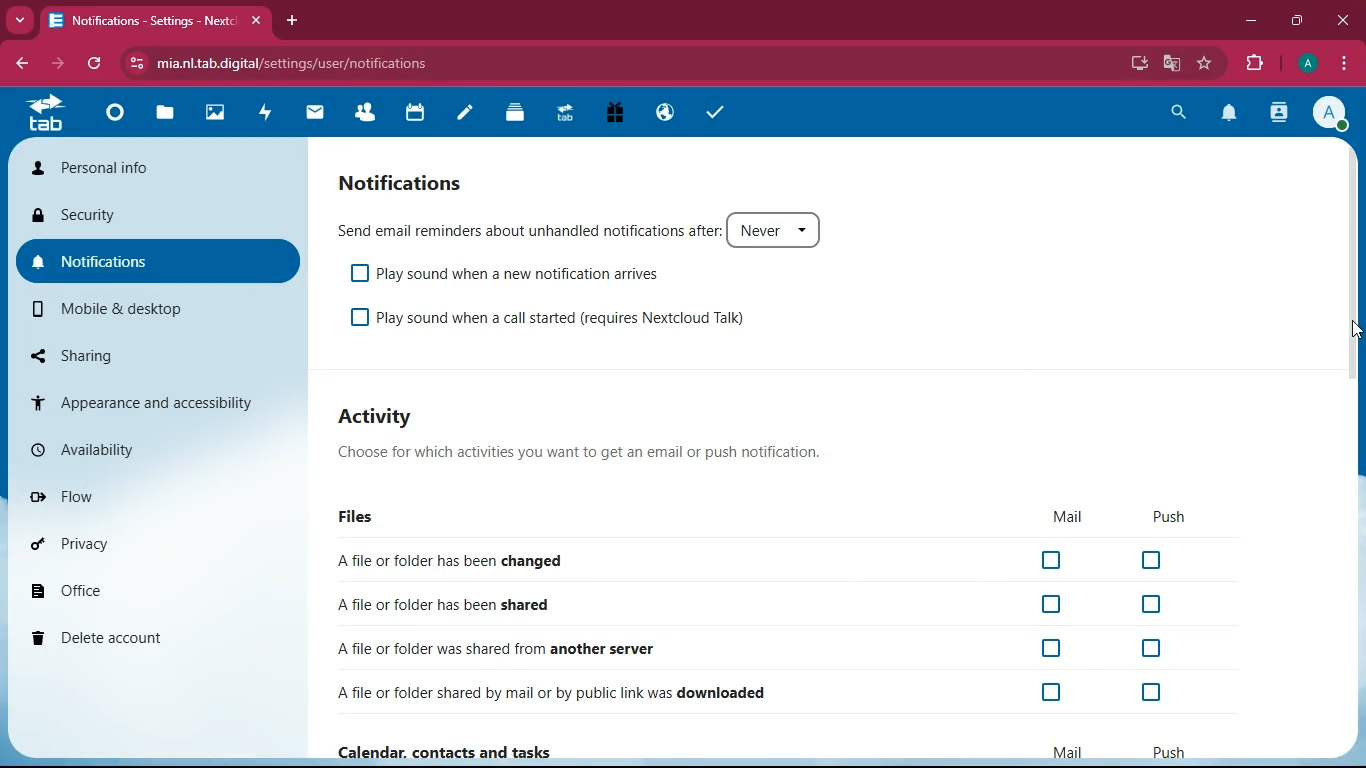 This screenshot has width=1366, height=768. Describe the element at coordinates (1280, 112) in the screenshot. I see `activity` at that location.